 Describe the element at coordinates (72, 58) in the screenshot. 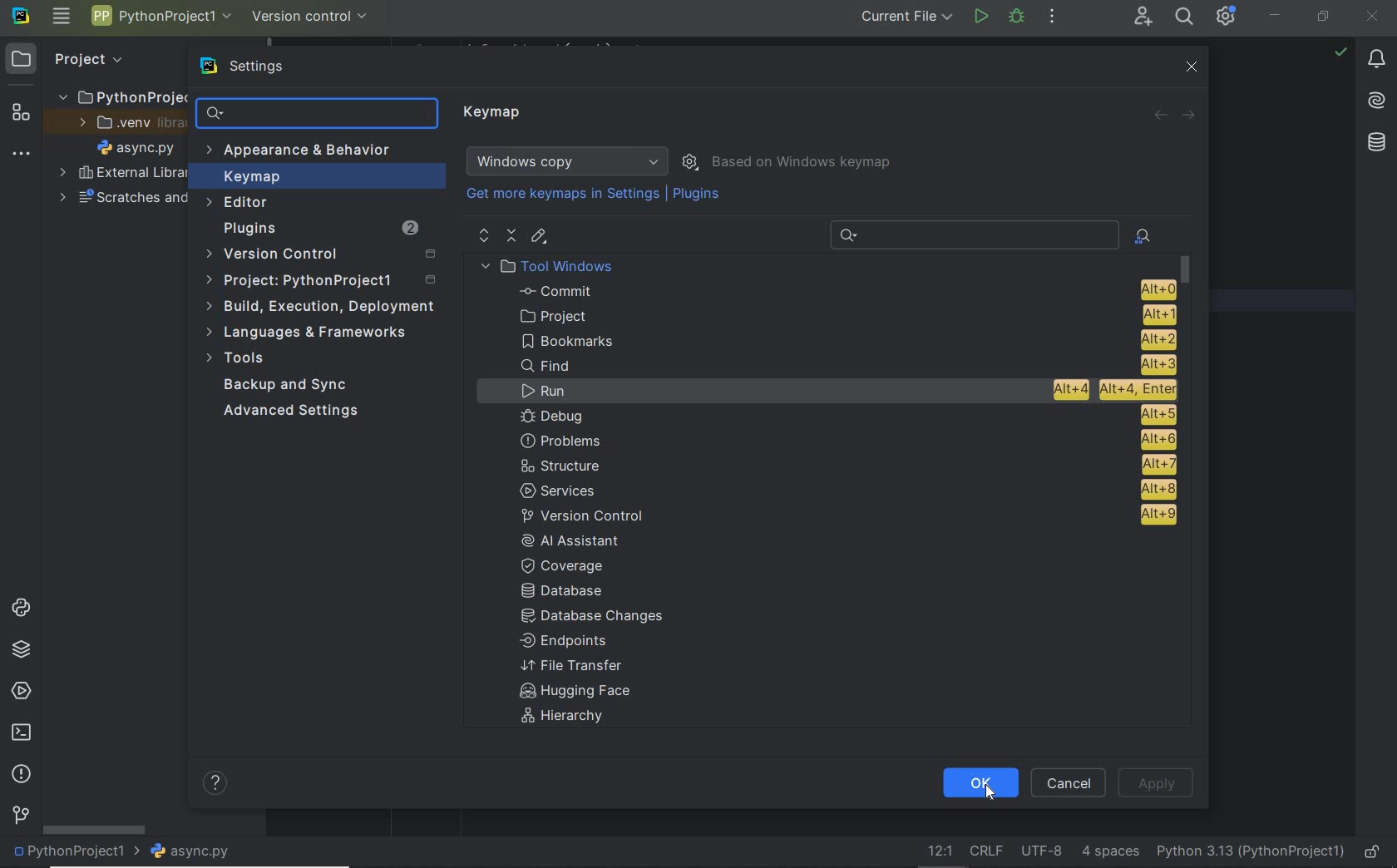

I see `Project` at that location.